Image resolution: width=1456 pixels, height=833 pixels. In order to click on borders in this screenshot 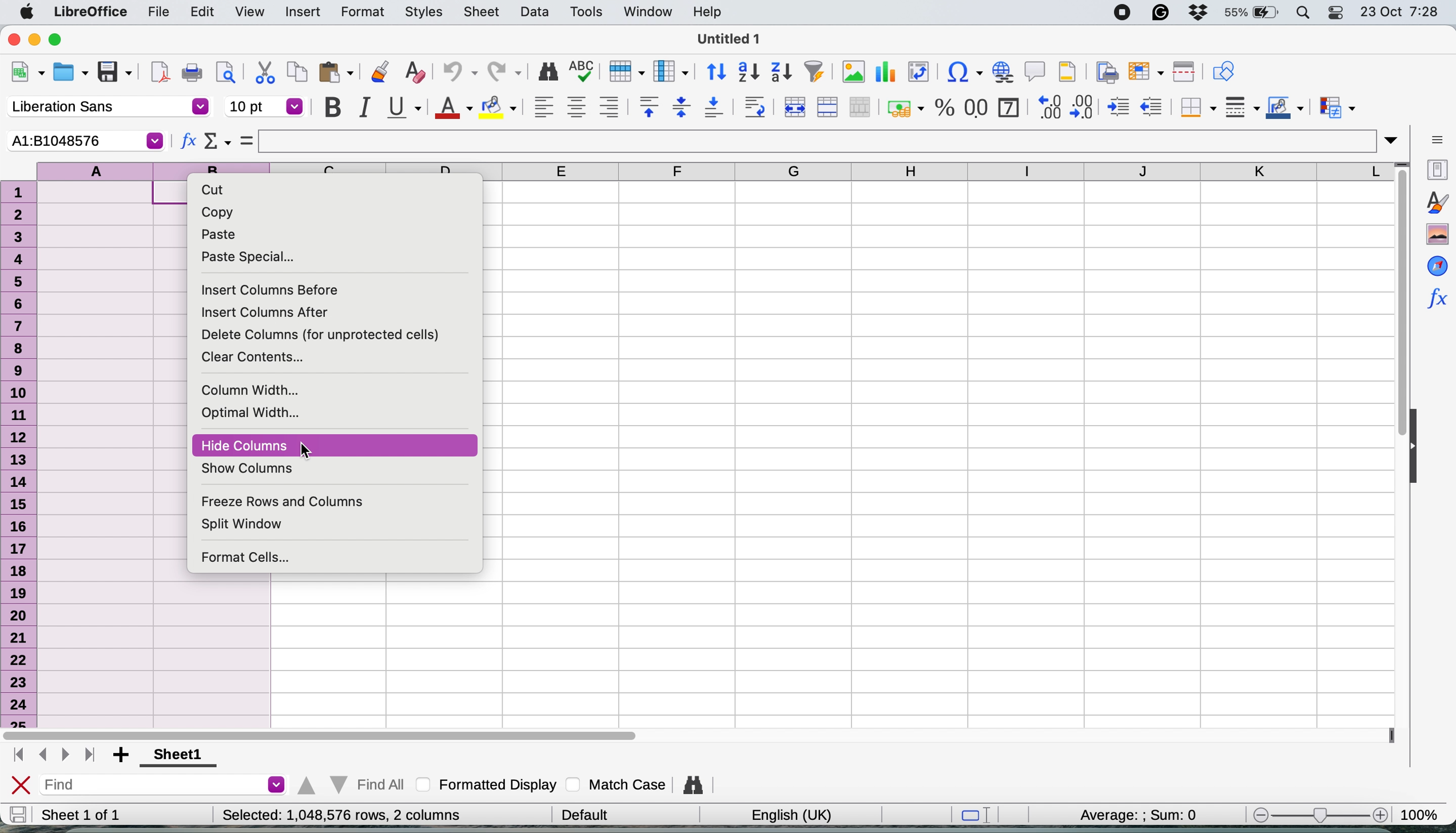, I will do `click(1195, 106)`.